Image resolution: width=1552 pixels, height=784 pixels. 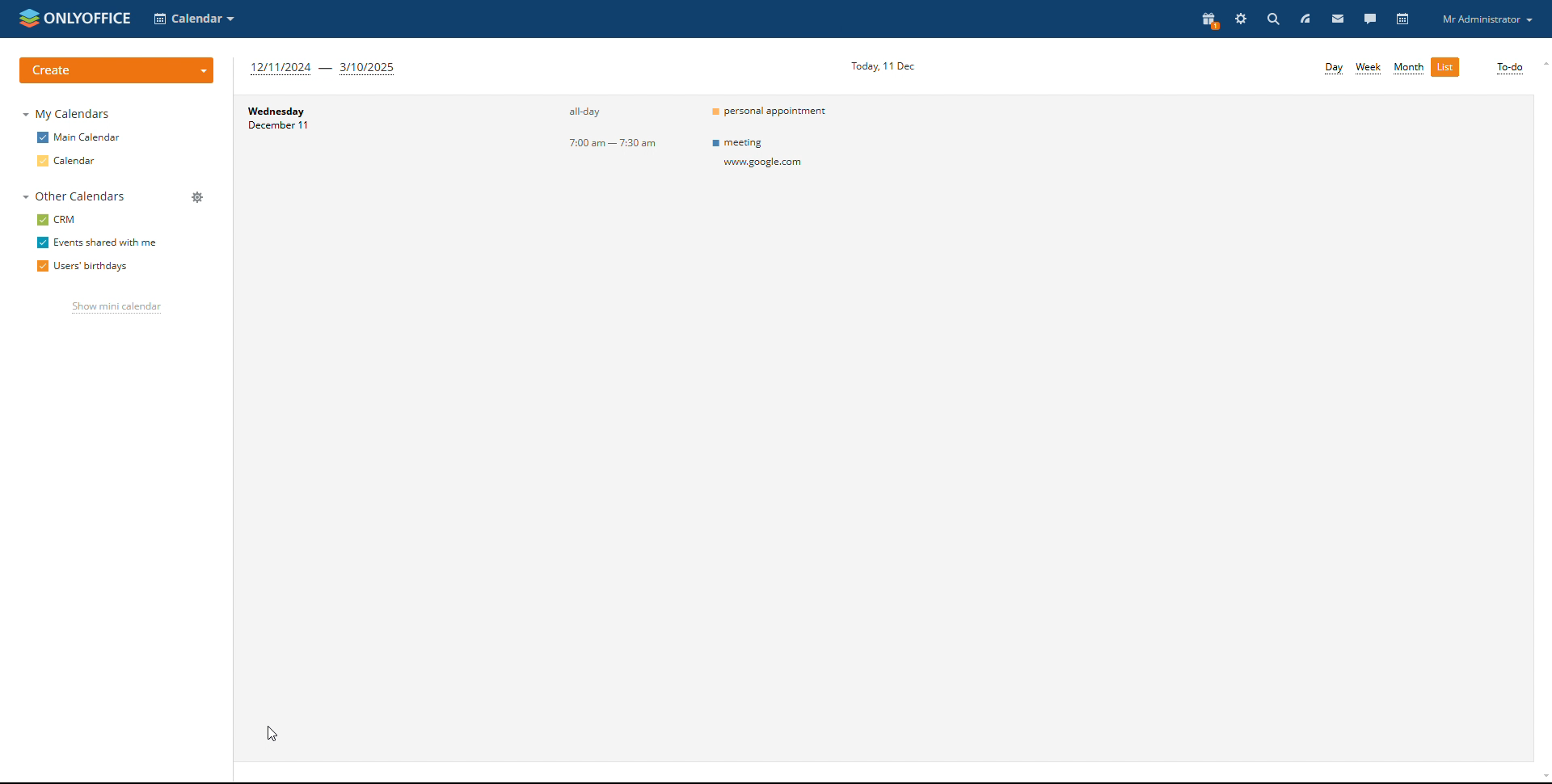 I want to click on next 3 months, so click(x=323, y=68).